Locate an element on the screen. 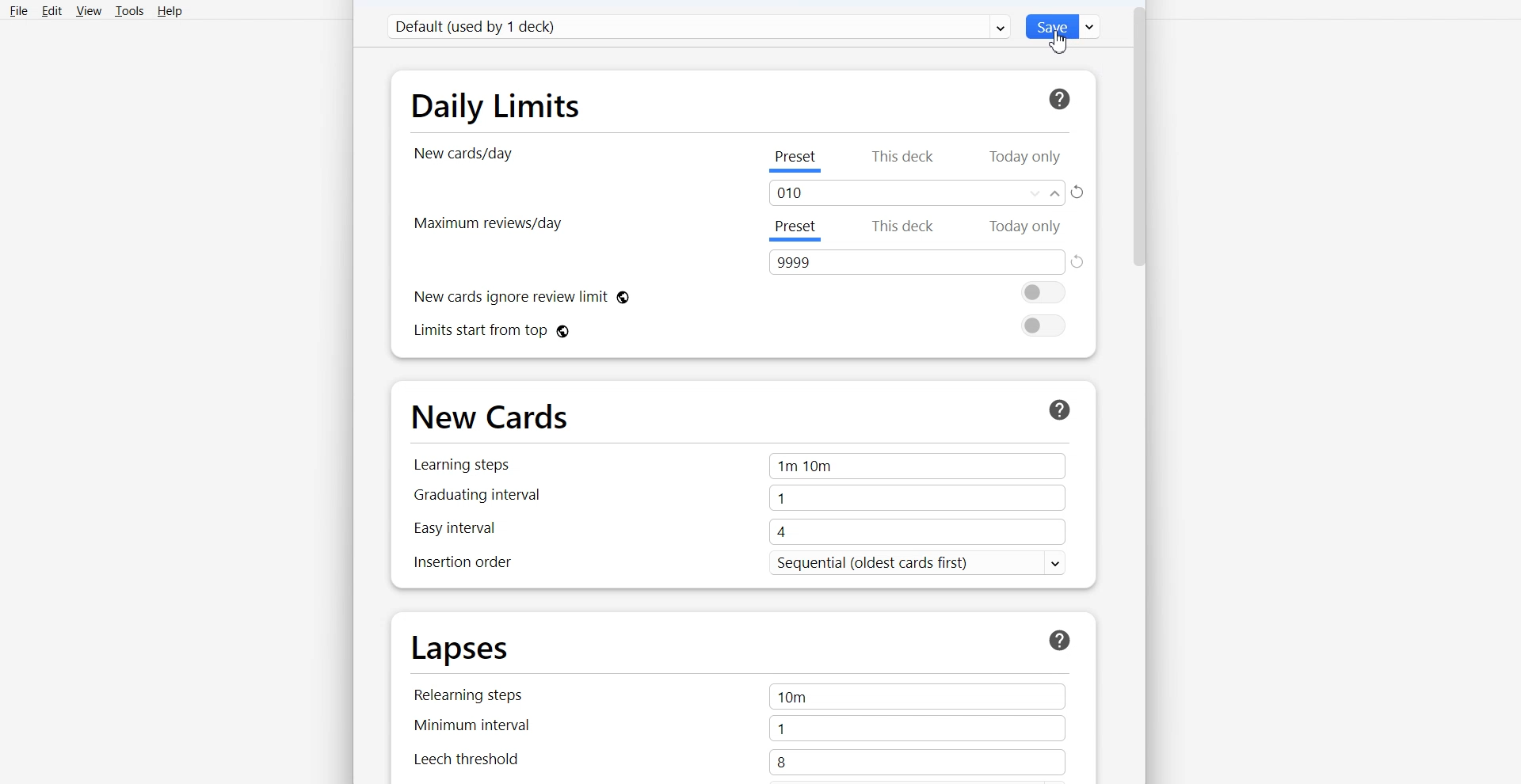 The height and width of the screenshot is (784, 1521). Lapses is located at coordinates (464, 650).